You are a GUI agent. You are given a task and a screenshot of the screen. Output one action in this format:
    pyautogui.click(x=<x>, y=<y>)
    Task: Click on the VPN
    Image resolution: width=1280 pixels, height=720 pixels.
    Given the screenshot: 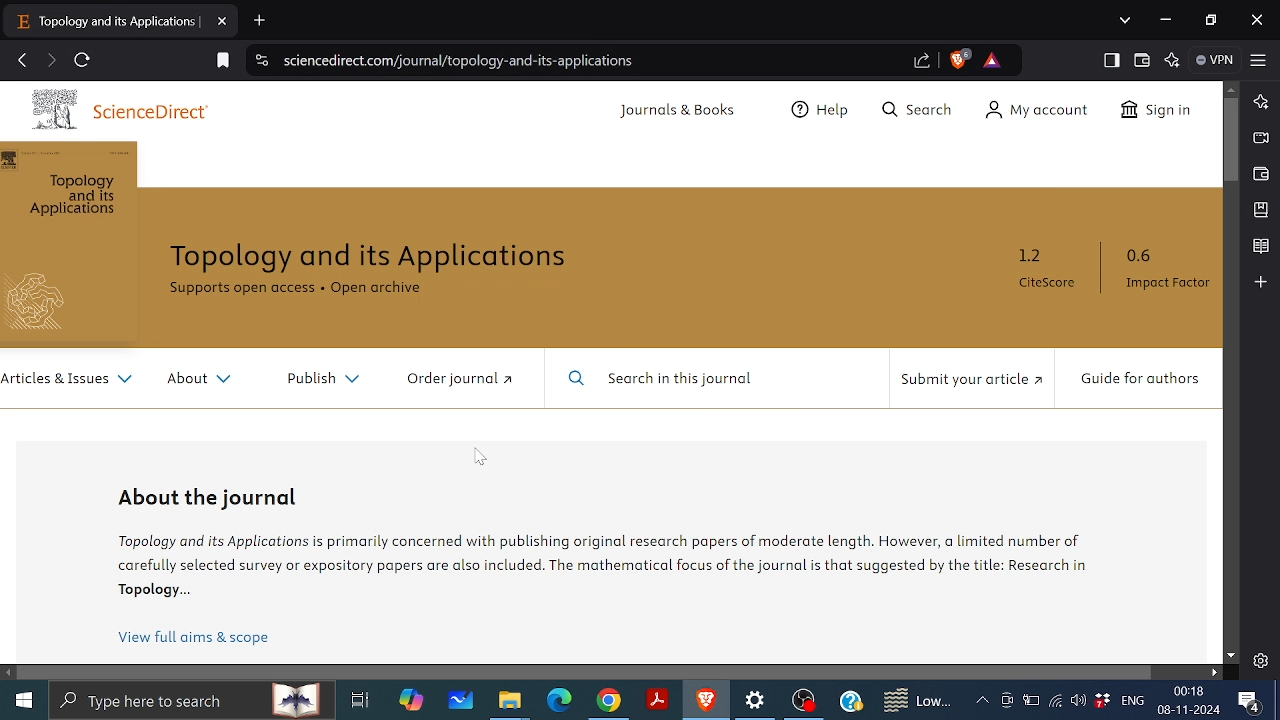 What is the action you would take?
    pyautogui.click(x=1215, y=61)
    